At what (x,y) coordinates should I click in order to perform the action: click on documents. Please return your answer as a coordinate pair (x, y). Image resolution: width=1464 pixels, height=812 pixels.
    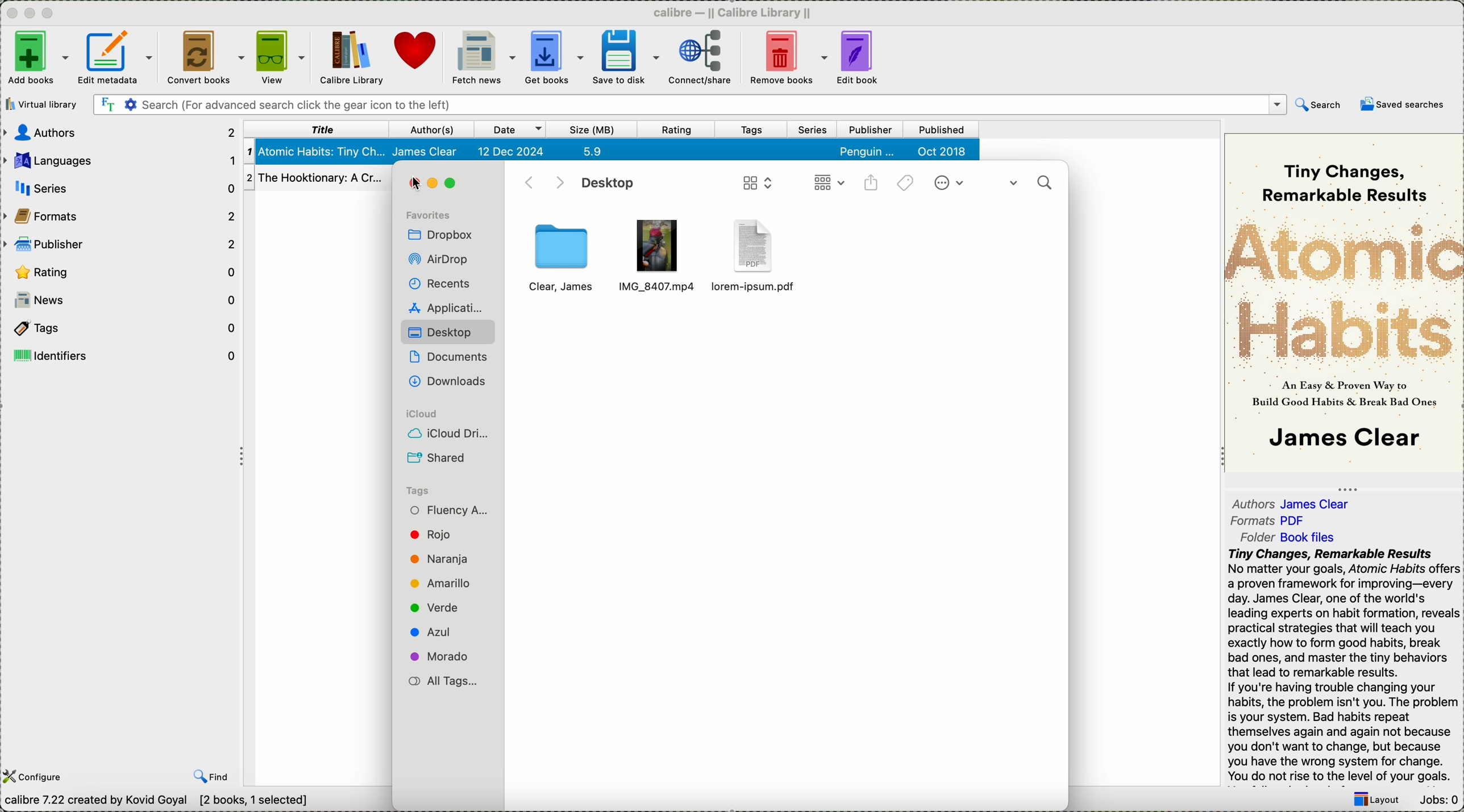
    Looking at the image, I should click on (447, 353).